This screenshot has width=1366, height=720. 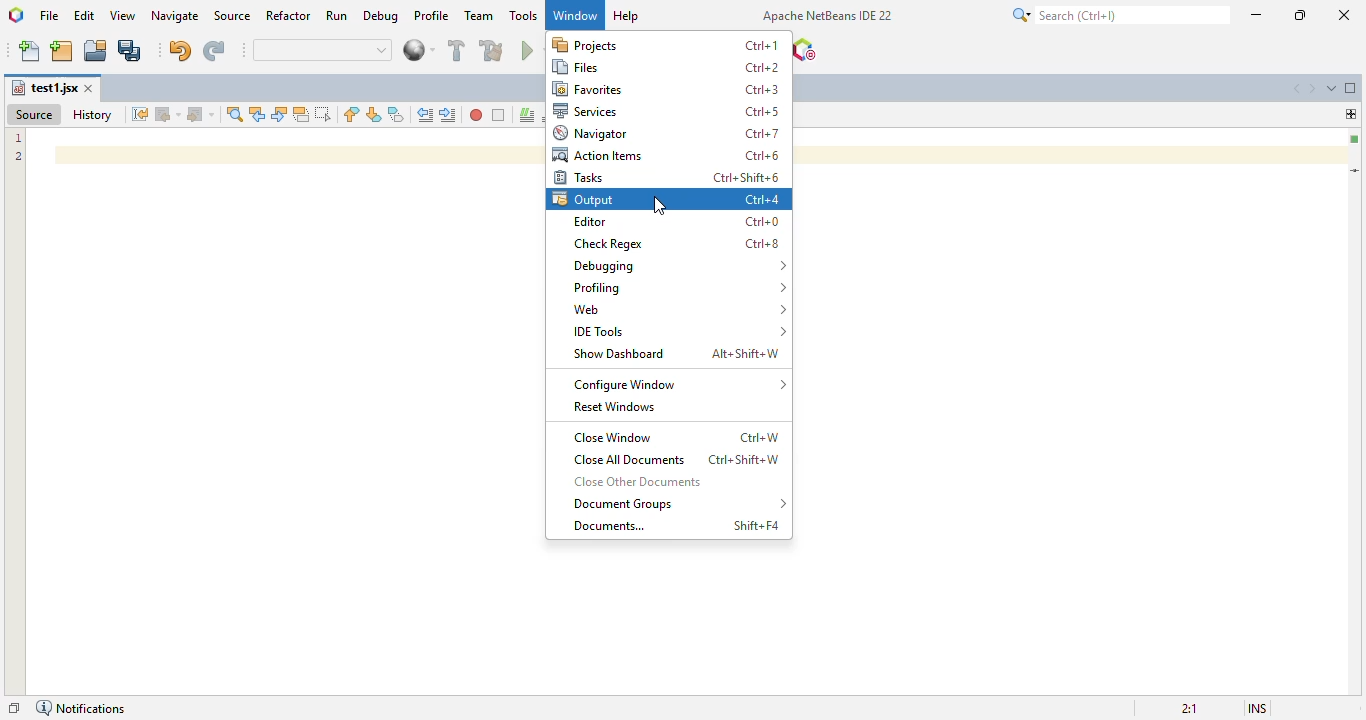 What do you see at coordinates (426, 114) in the screenshot?
I see `shift line left` at bounding box center [426, 114].